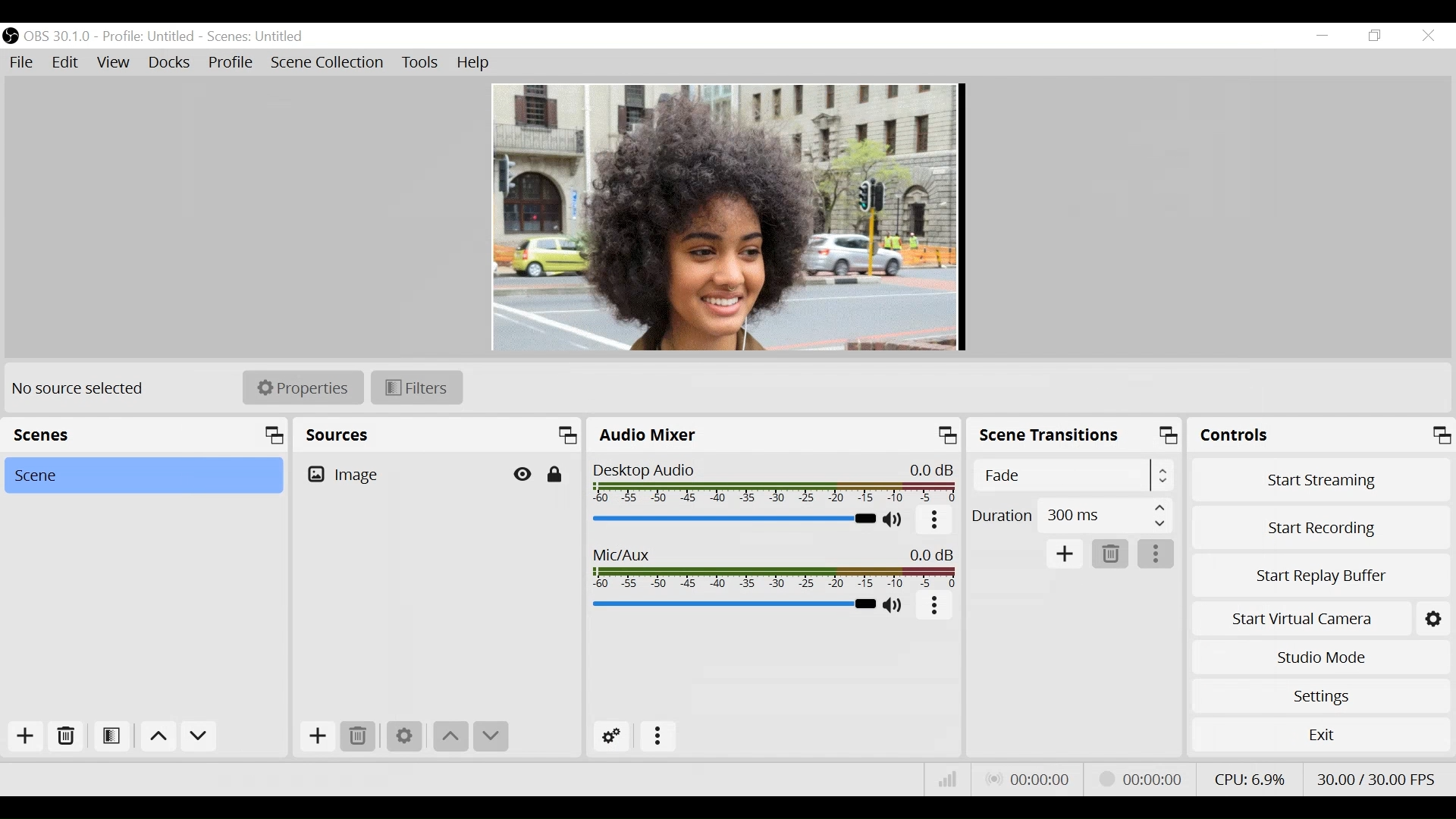  I want to click on Start Virtual Camera Settings, so click(1436, 619).